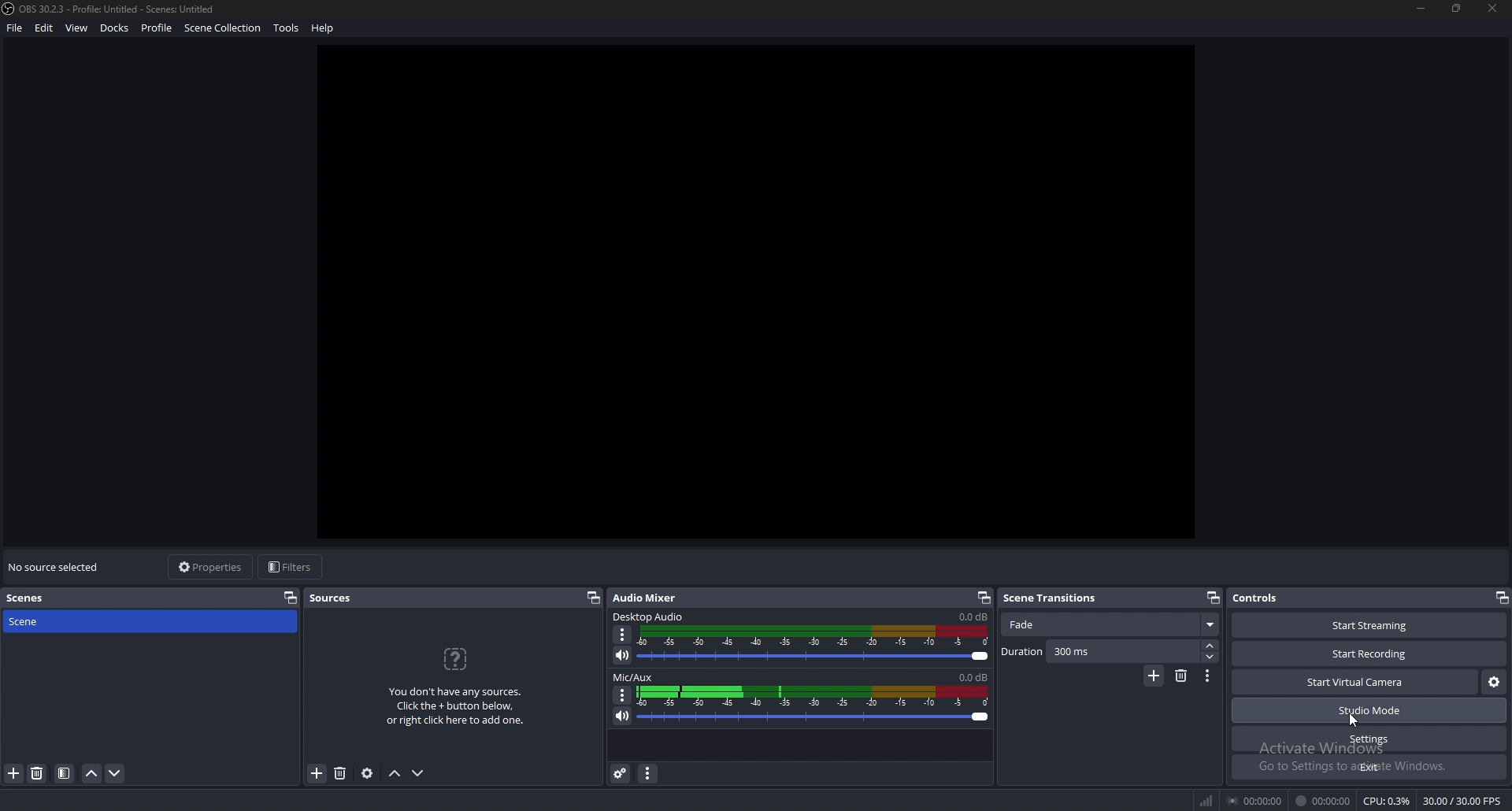 This screenshot has width=1512, height=811. Describe the element at coordinates (1370, 654) in the screenshot. I see `Start recording` at that location.